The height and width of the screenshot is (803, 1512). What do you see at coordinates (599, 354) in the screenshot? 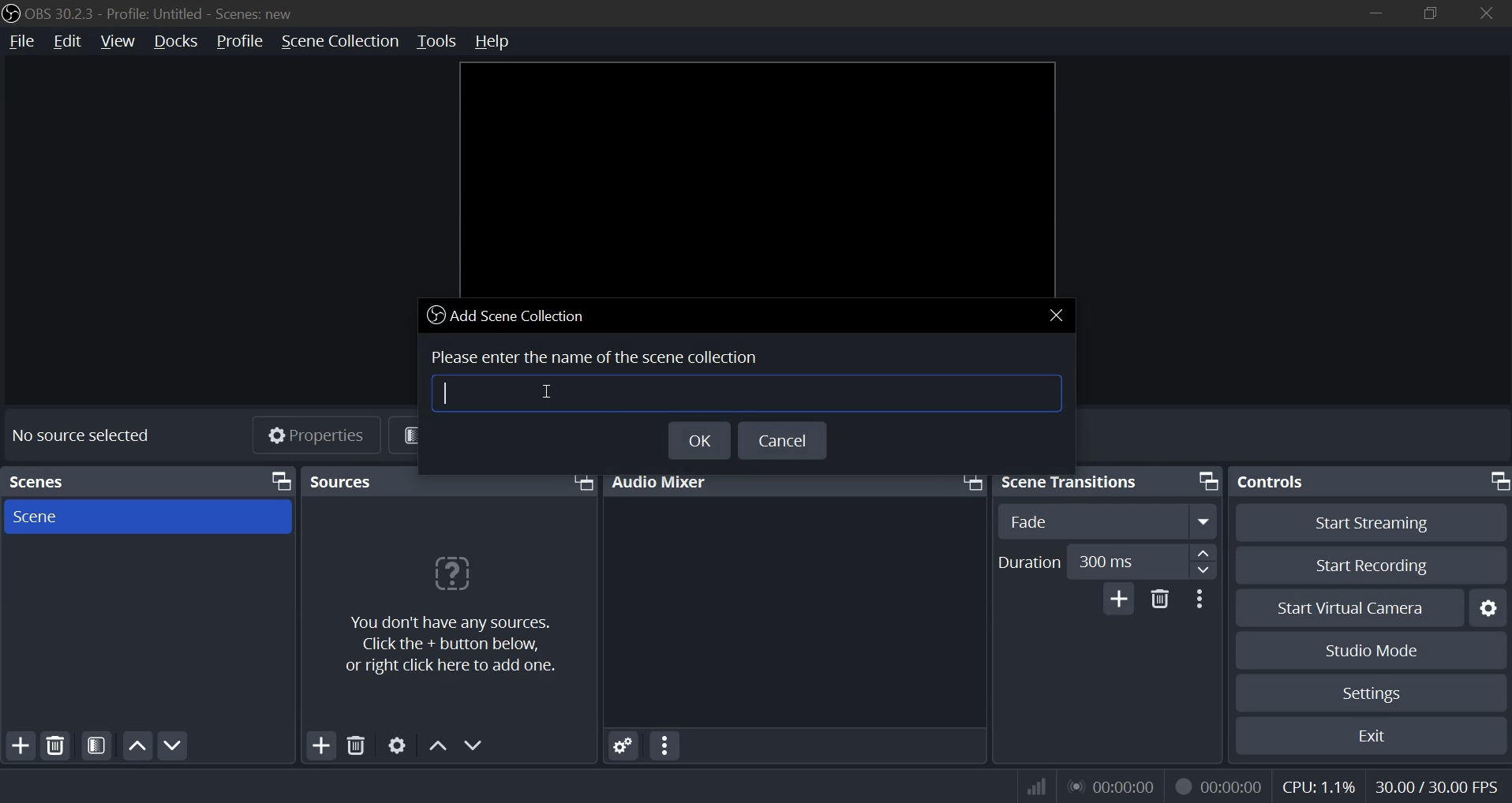
I see `Please enter the name of the scene collection` at bounding box center [599, 354].